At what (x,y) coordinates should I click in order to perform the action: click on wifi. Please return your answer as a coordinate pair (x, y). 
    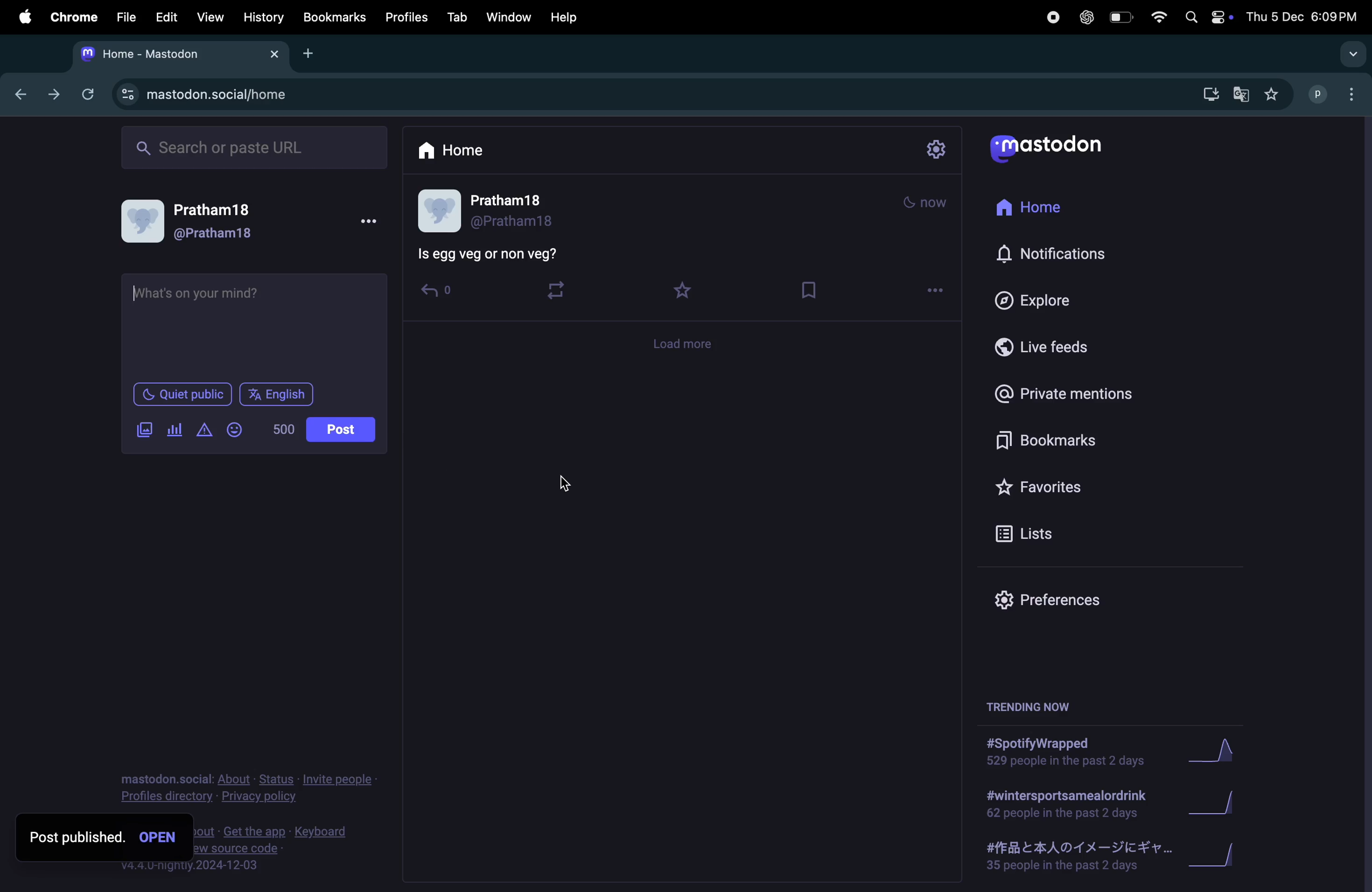
    Looking at the image, I should click on (1160, 18).